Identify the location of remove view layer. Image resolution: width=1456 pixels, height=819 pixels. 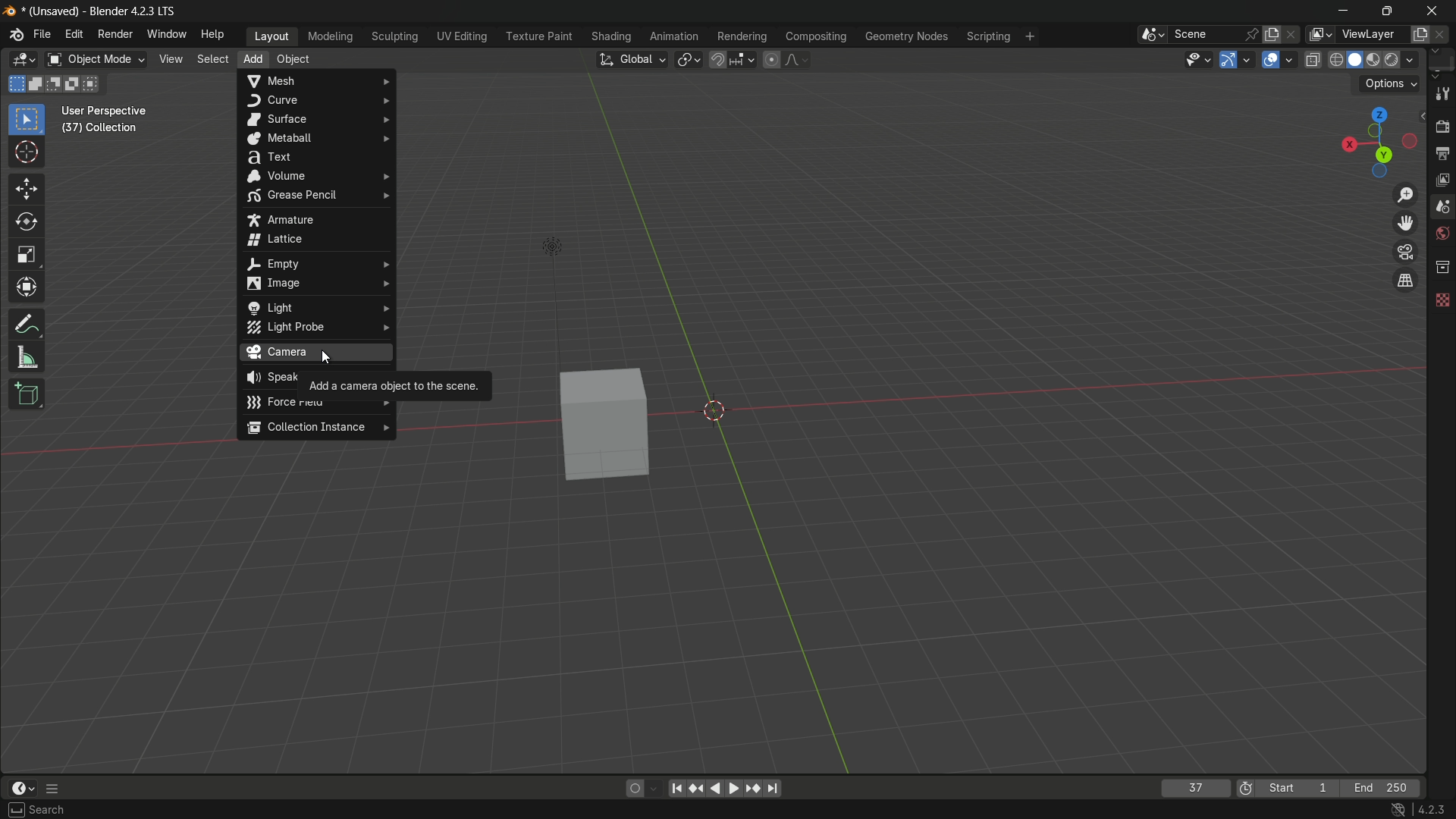
(1444, 36).